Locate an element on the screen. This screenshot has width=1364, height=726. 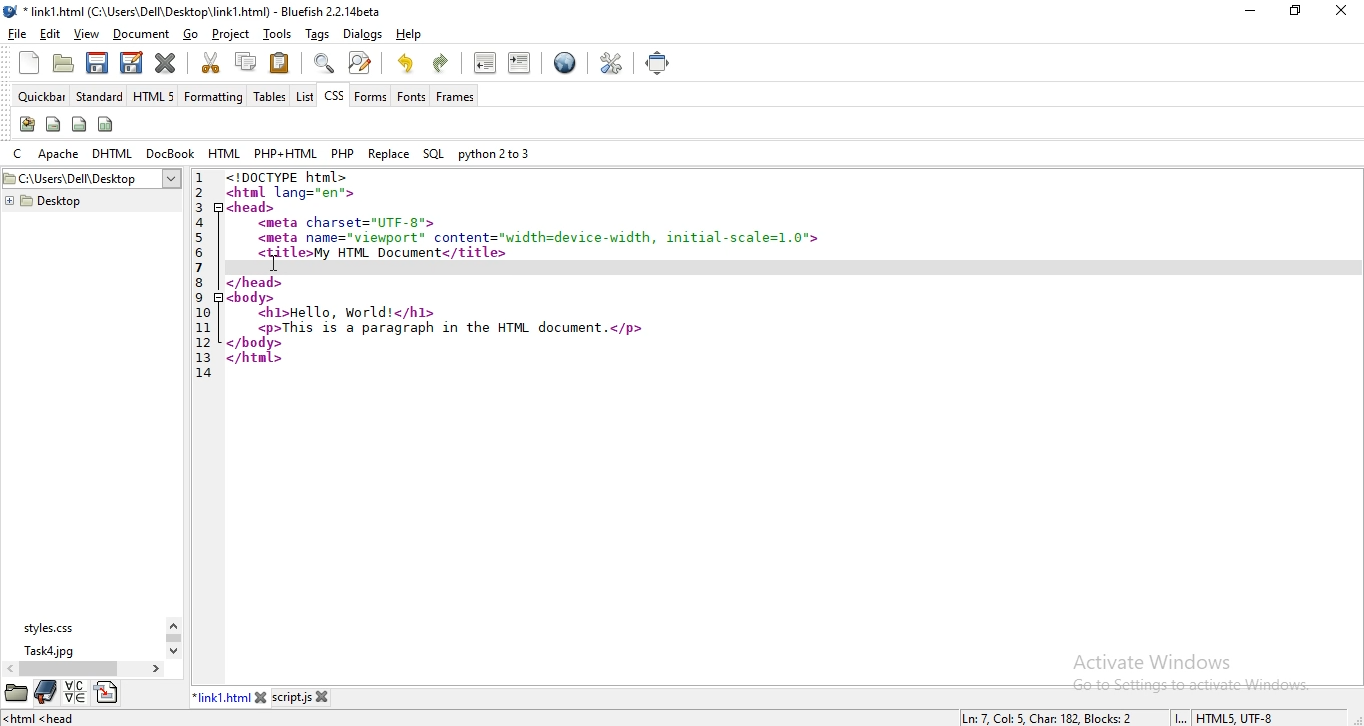
text encoding is located at coordinates (1235, 717).